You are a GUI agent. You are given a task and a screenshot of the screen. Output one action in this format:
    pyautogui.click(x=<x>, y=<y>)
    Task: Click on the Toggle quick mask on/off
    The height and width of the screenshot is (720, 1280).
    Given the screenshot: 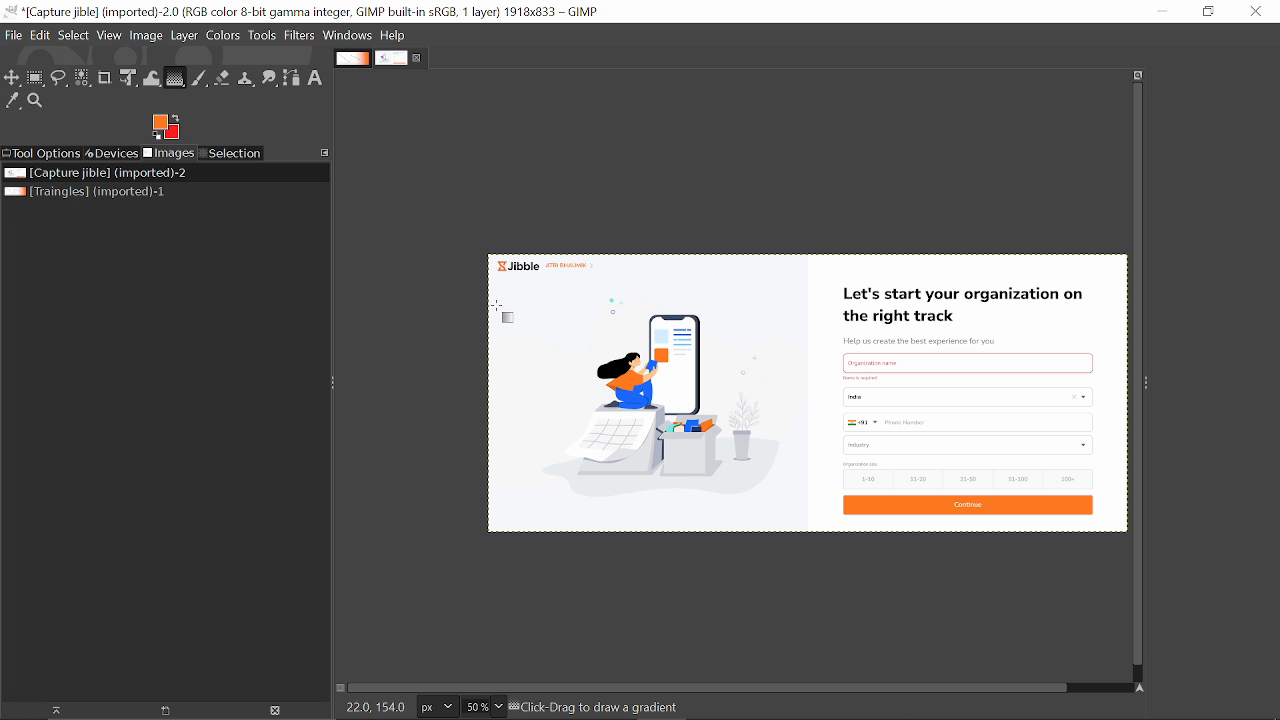 What is the action you would take?
    pyautogui.click(x=341, y=689)
    